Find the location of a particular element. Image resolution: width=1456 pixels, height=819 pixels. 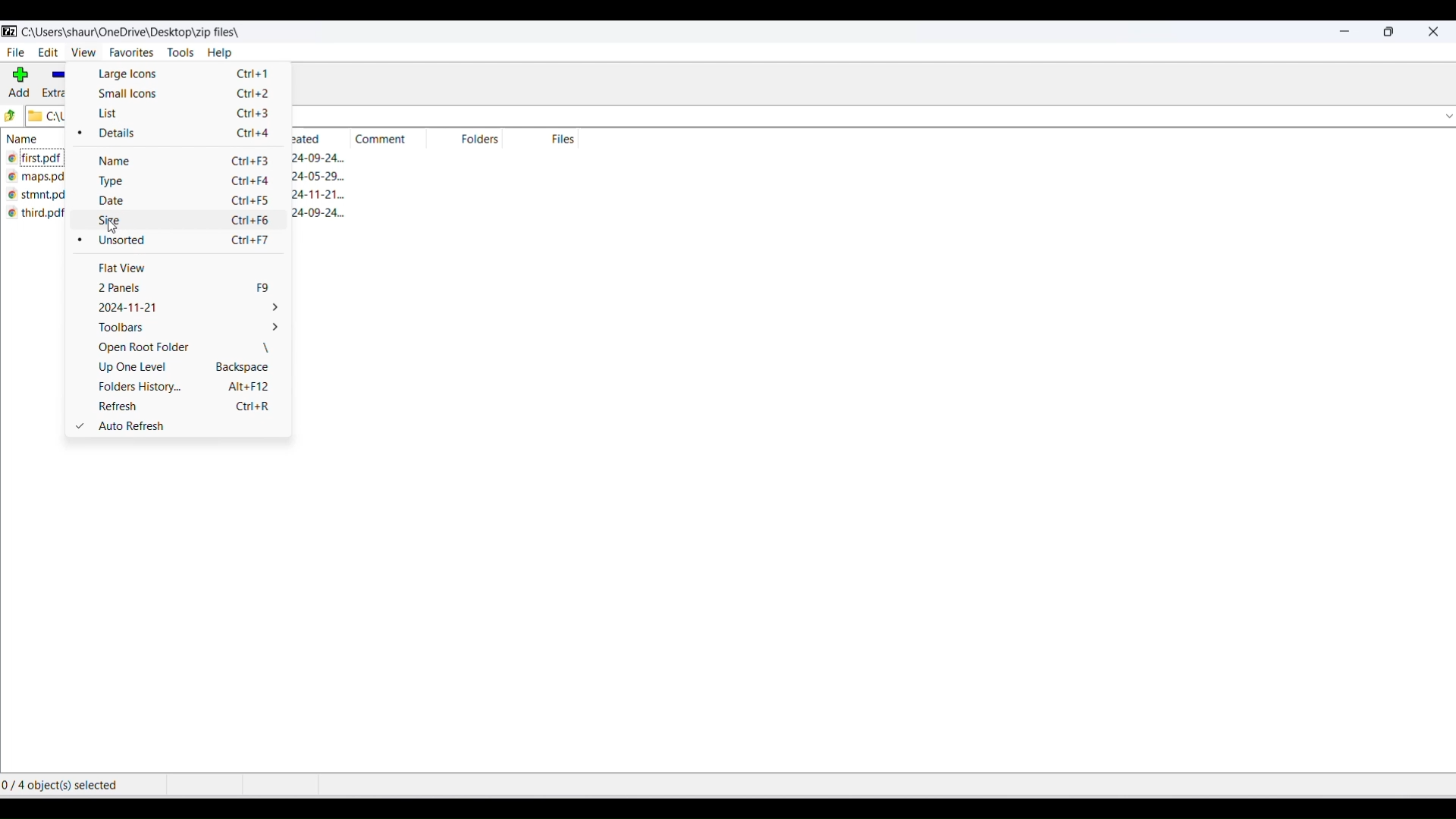

auto refresh is located at coordinates (180, 426).